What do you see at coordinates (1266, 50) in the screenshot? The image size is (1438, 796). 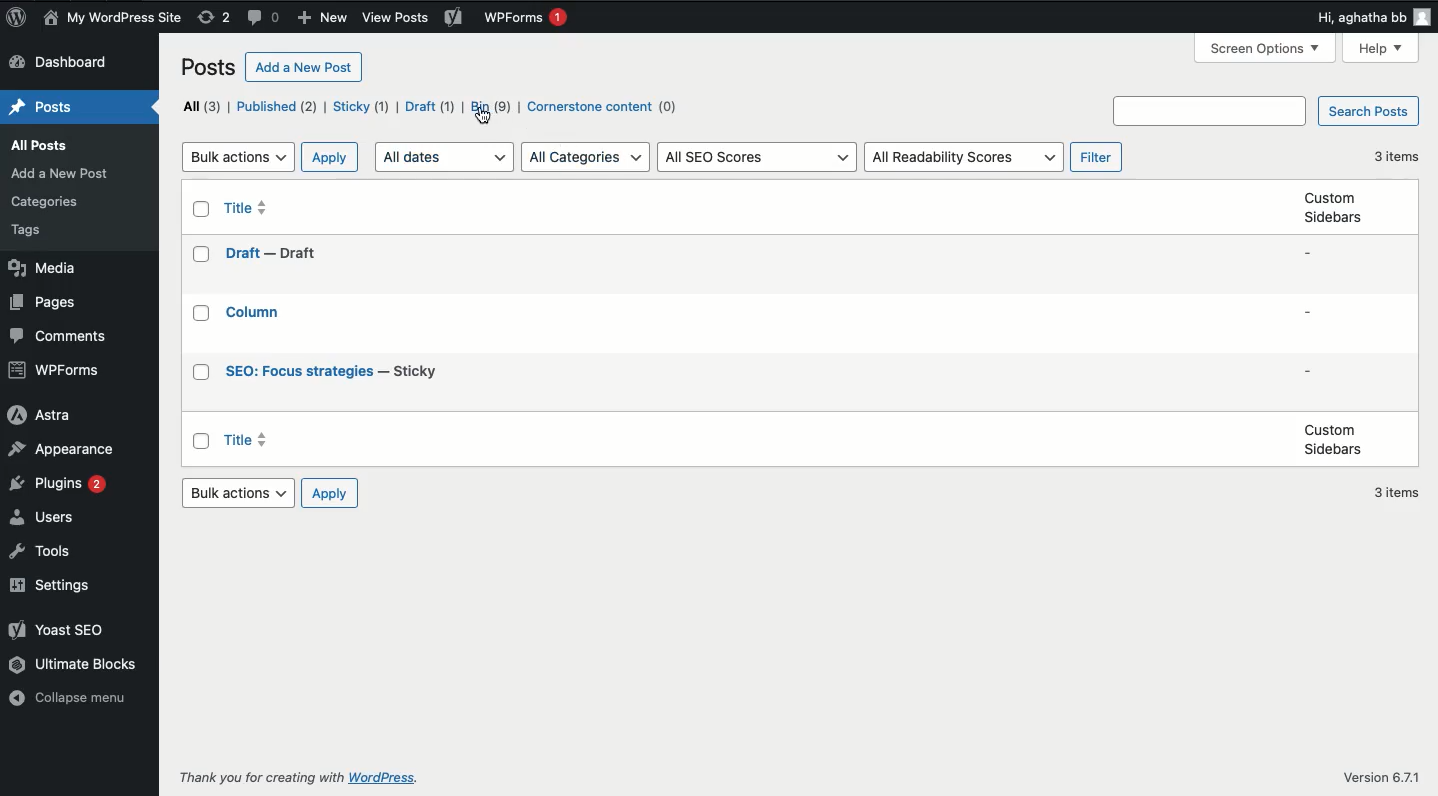 I see `Screen options` at bounding box center [1266, 50].